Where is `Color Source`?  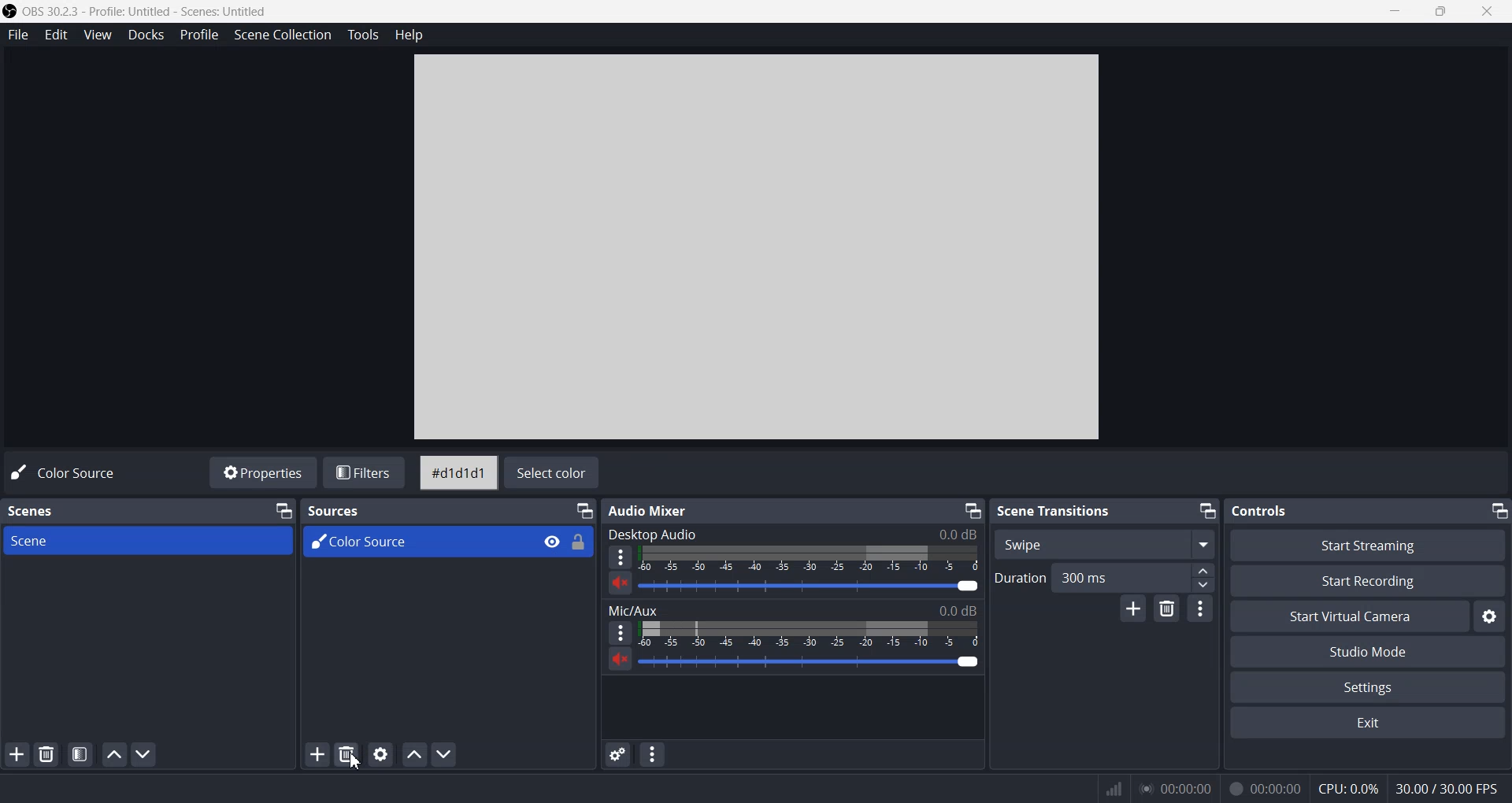
Color Source is located at coordinates (417, 542).